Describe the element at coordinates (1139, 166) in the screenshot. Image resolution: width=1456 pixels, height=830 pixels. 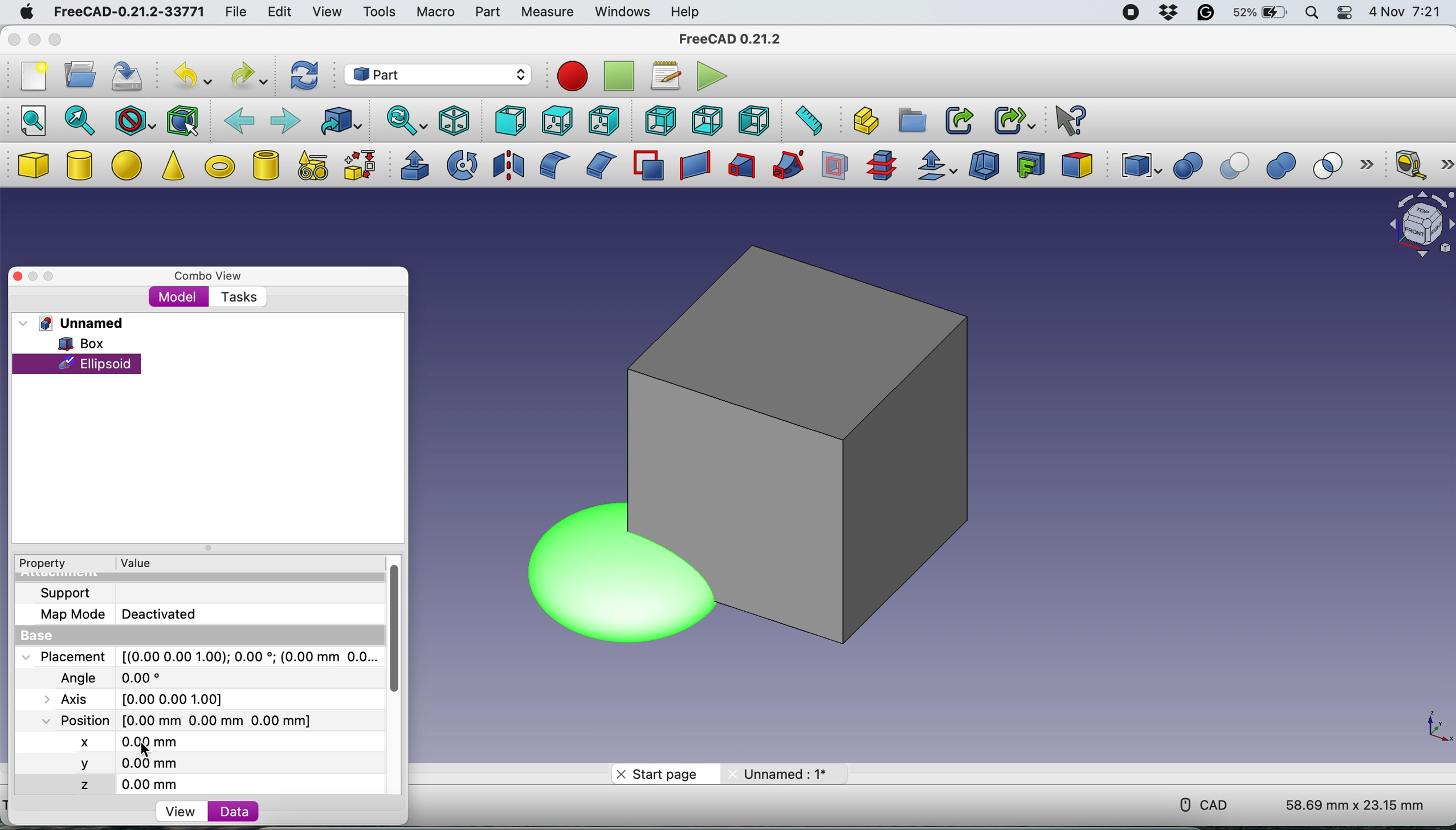
I see `compound tools` at that location.